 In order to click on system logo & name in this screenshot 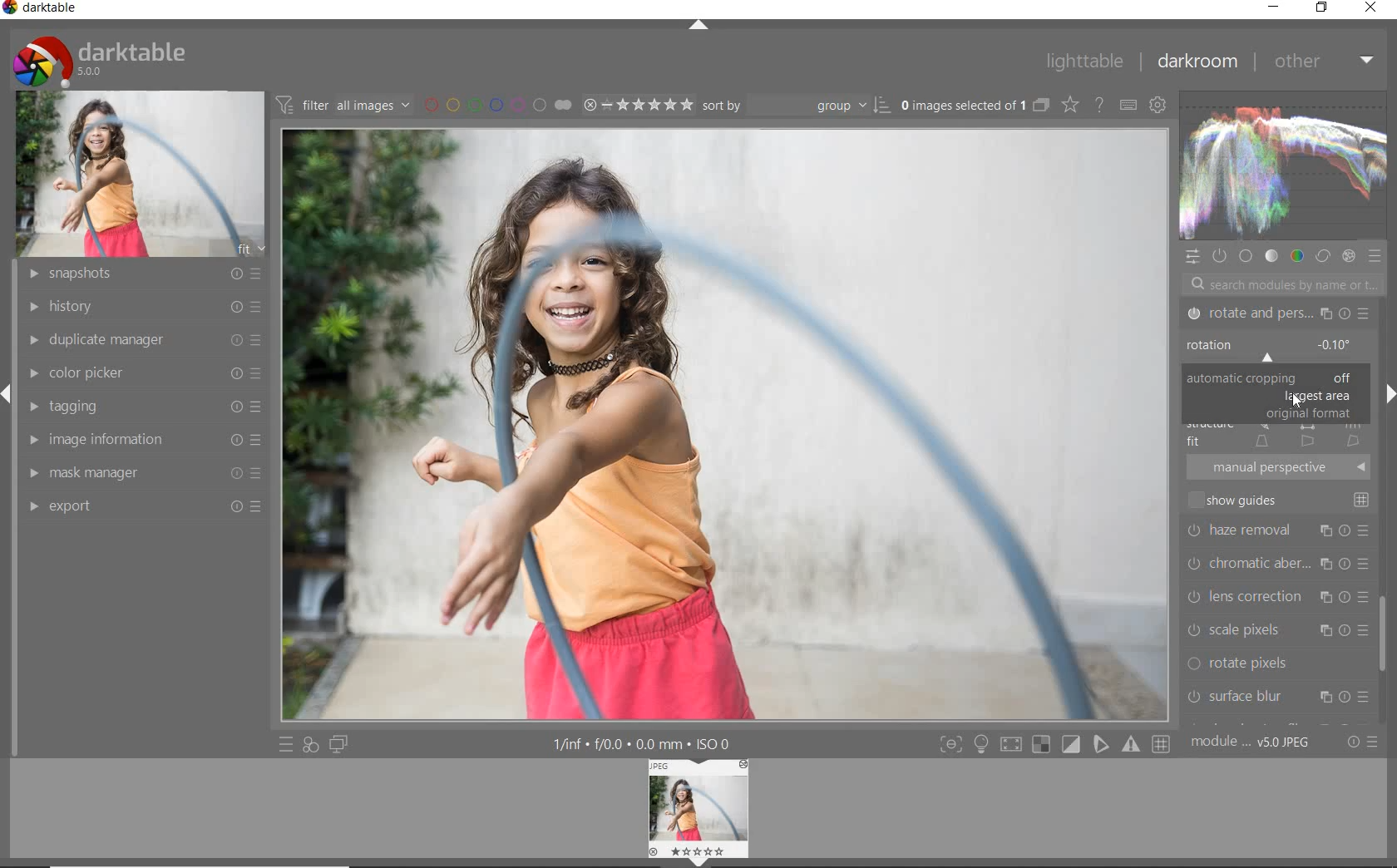, I will do `click(103, 61)`.